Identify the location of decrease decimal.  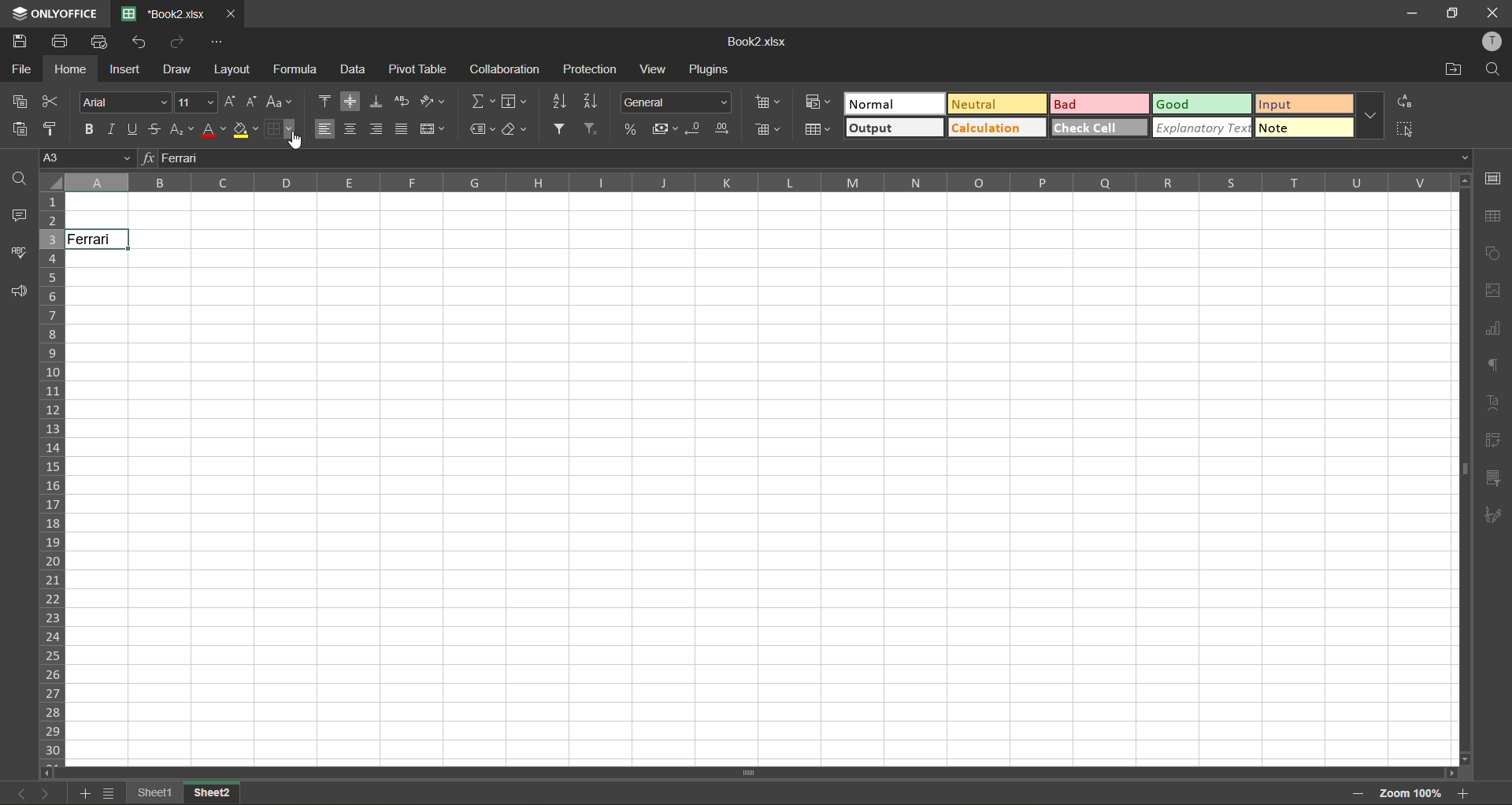
(696, 131).